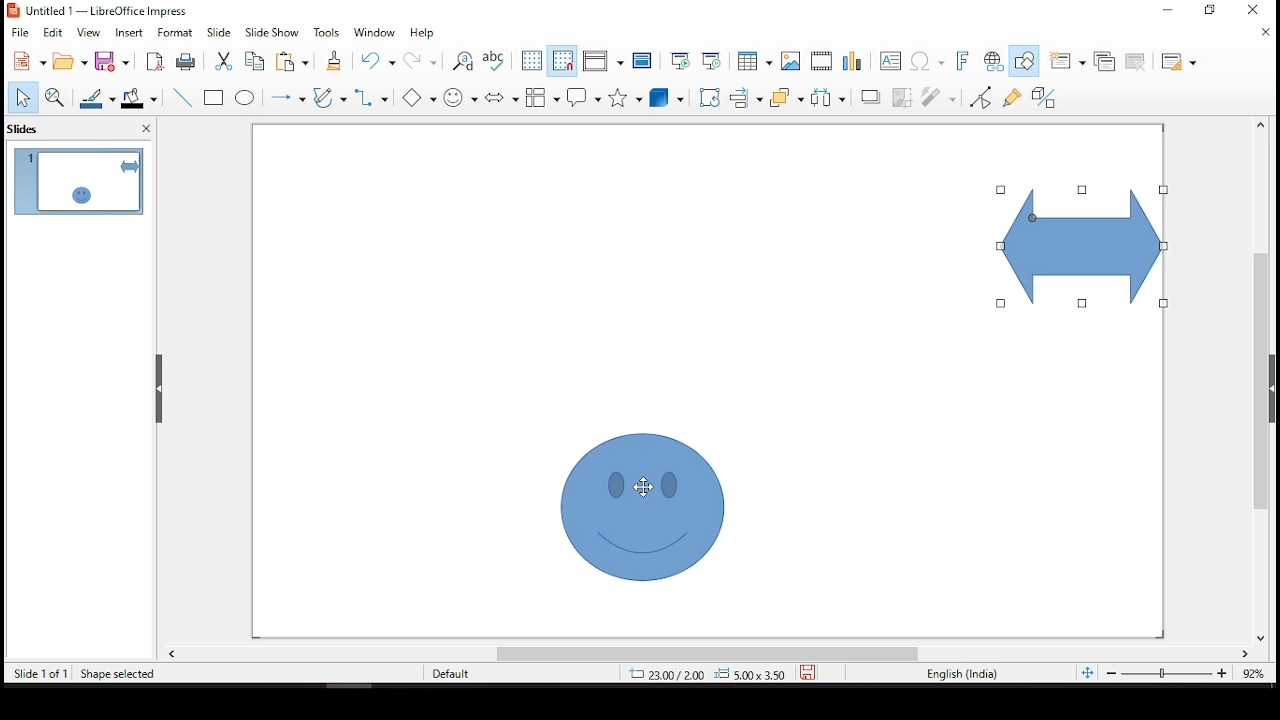  Describe the element at coordinates (371, 99) in the screenshot. I see `connectors` at that location.